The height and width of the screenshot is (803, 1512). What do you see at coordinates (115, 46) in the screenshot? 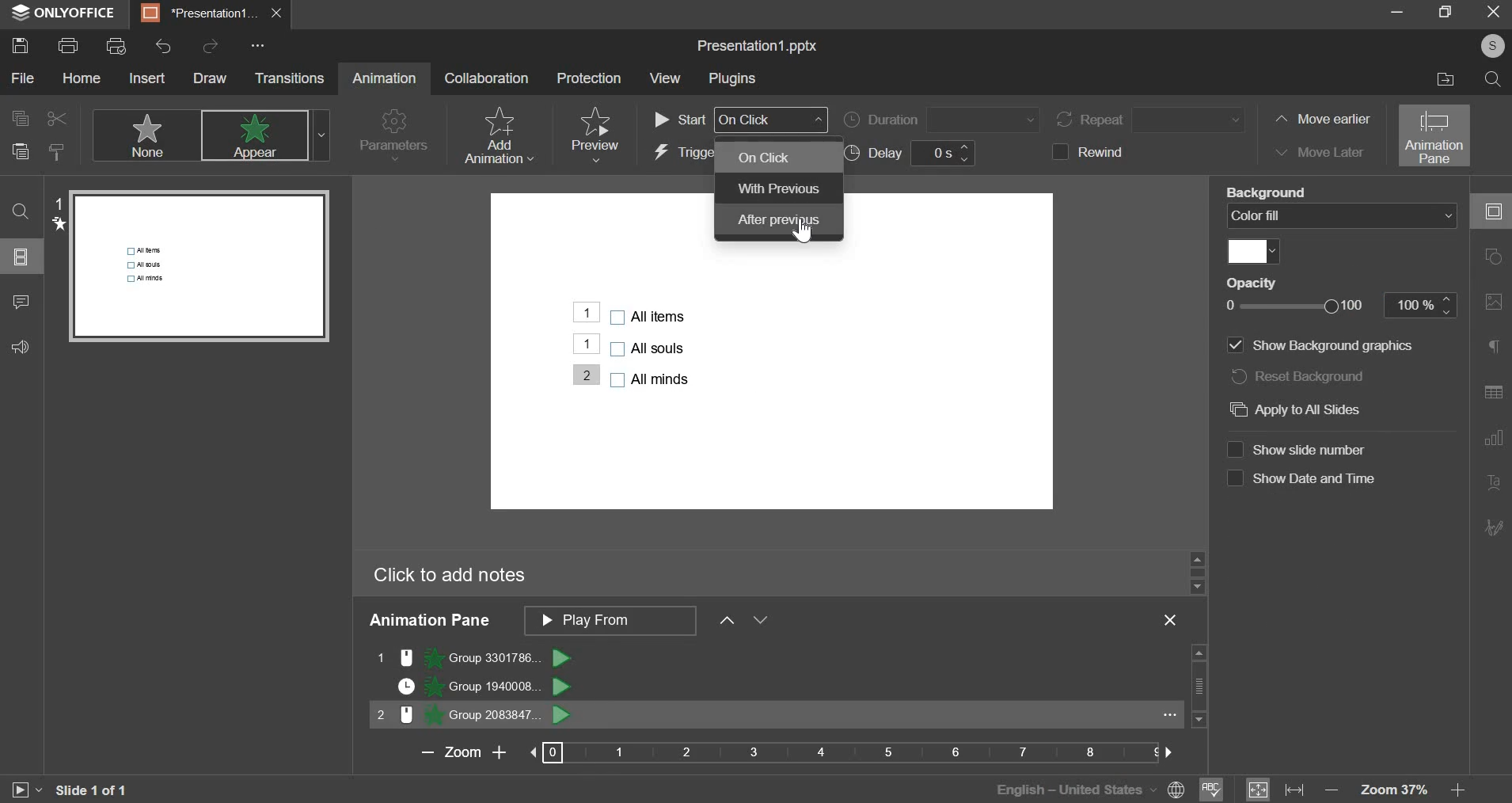
I see `print preview` at bounding box center [115, 46].